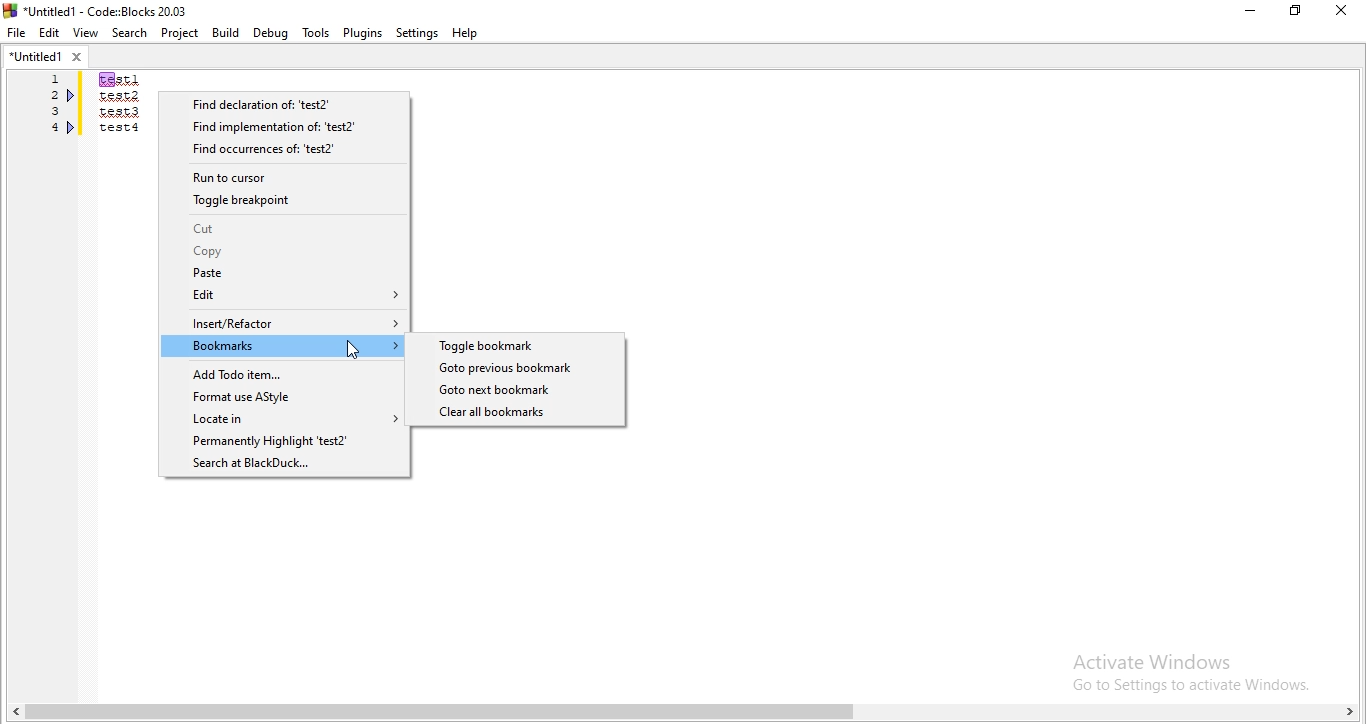 The image size is (1366, 724). What do you see at coordinates (282, 419) in the screenshot?
I see `Locate in` at bounding box center [282, 419].